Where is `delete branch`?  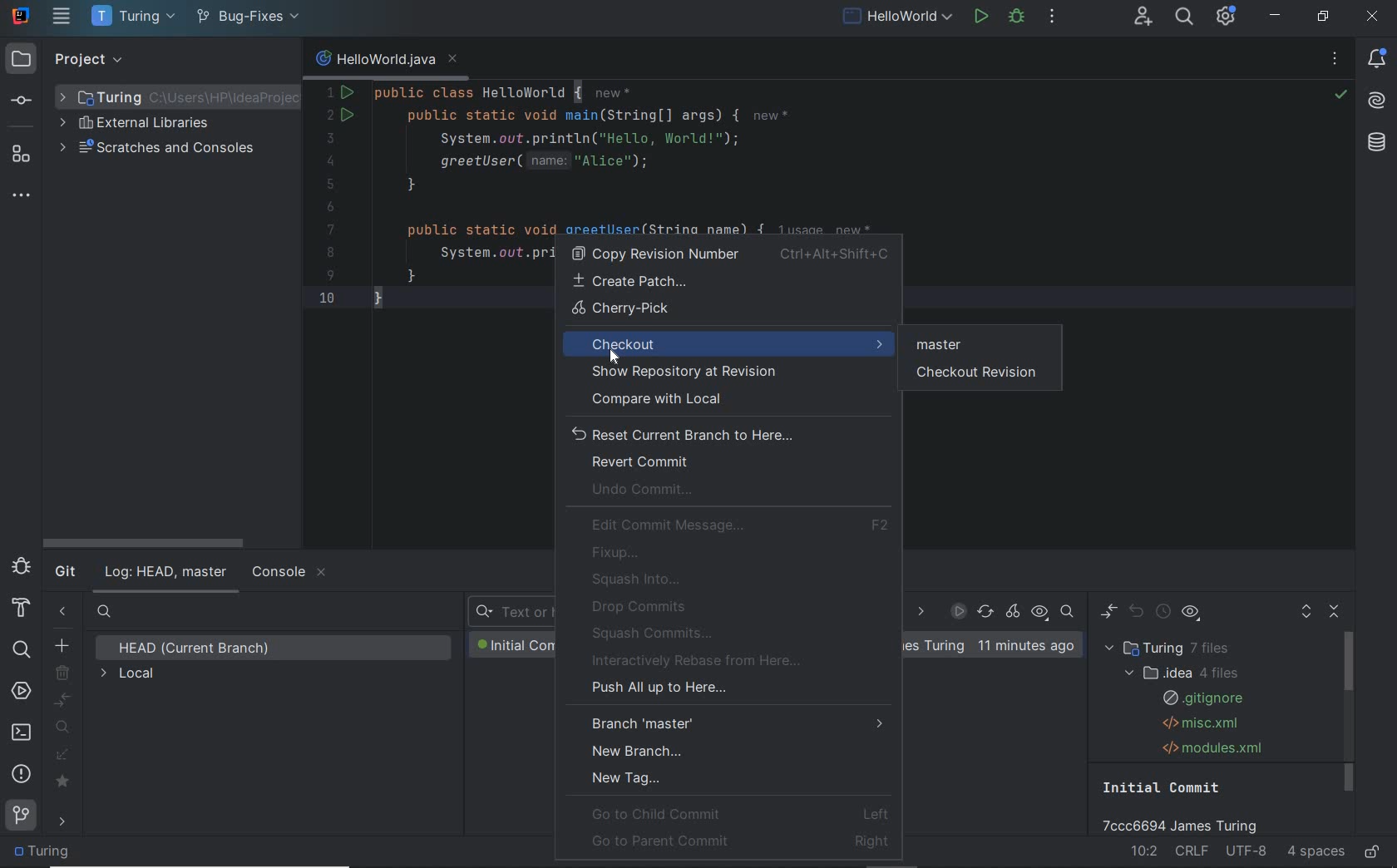 delete branch is located at coordinates (64, 673).